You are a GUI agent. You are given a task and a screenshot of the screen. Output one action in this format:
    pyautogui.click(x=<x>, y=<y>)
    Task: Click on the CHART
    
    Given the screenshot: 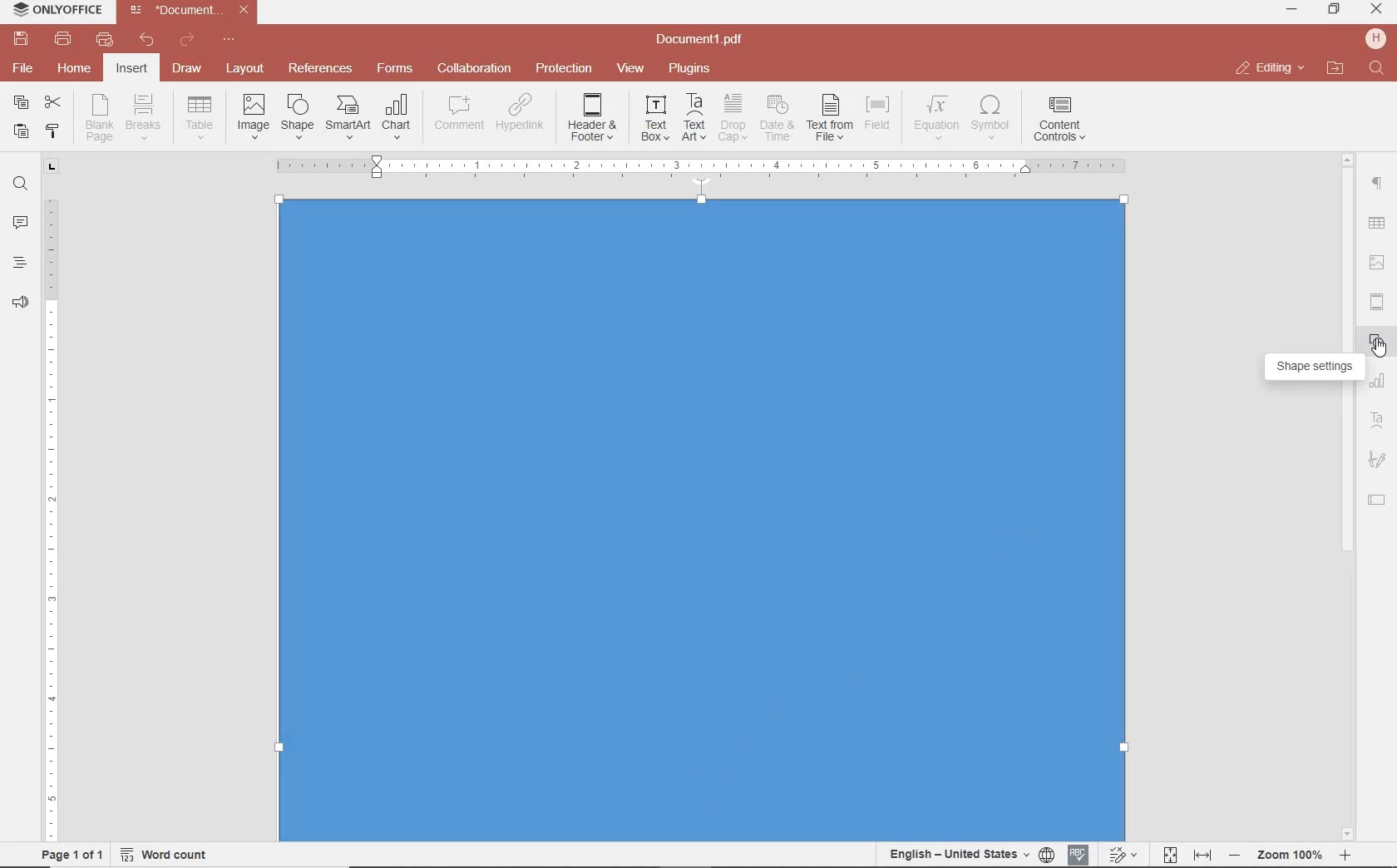 What is the action you would take?
    pyautogui.click(x=1378, y=382)
    